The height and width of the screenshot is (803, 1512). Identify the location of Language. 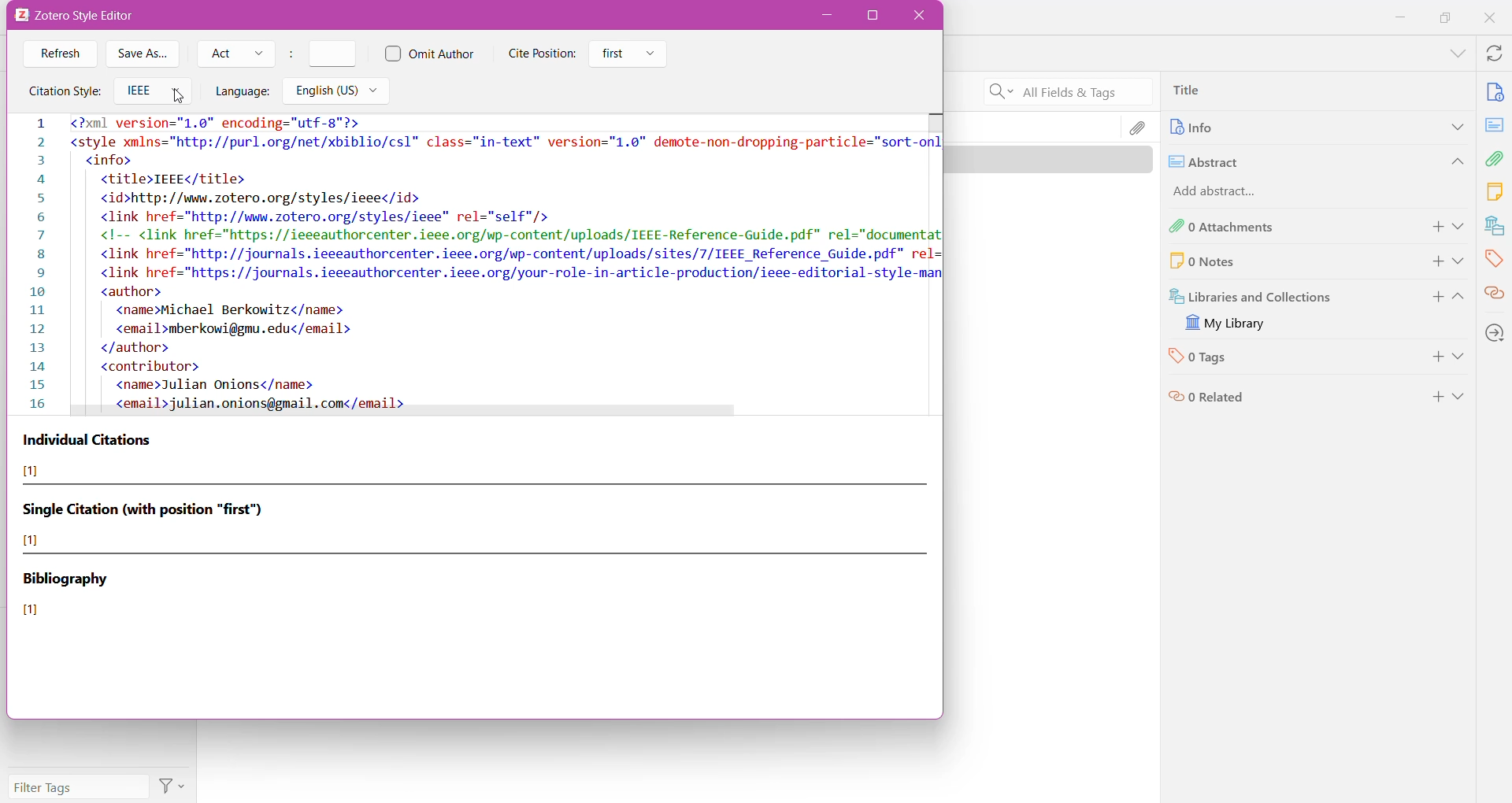
(242, 92).